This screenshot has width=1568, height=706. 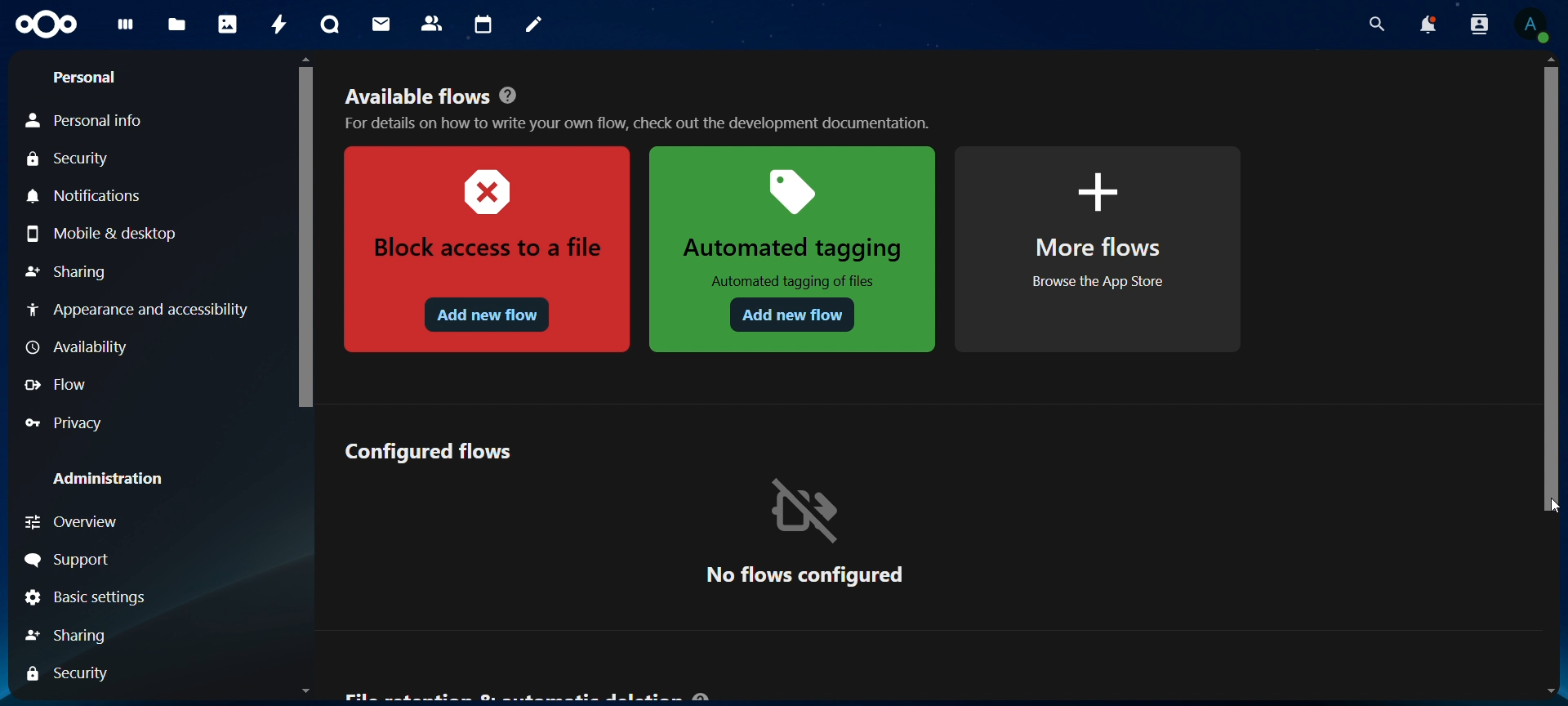 What do you see at coordinates (484, 25) in the screenshot?
I see `calendar` at bounding box center [484, 25].